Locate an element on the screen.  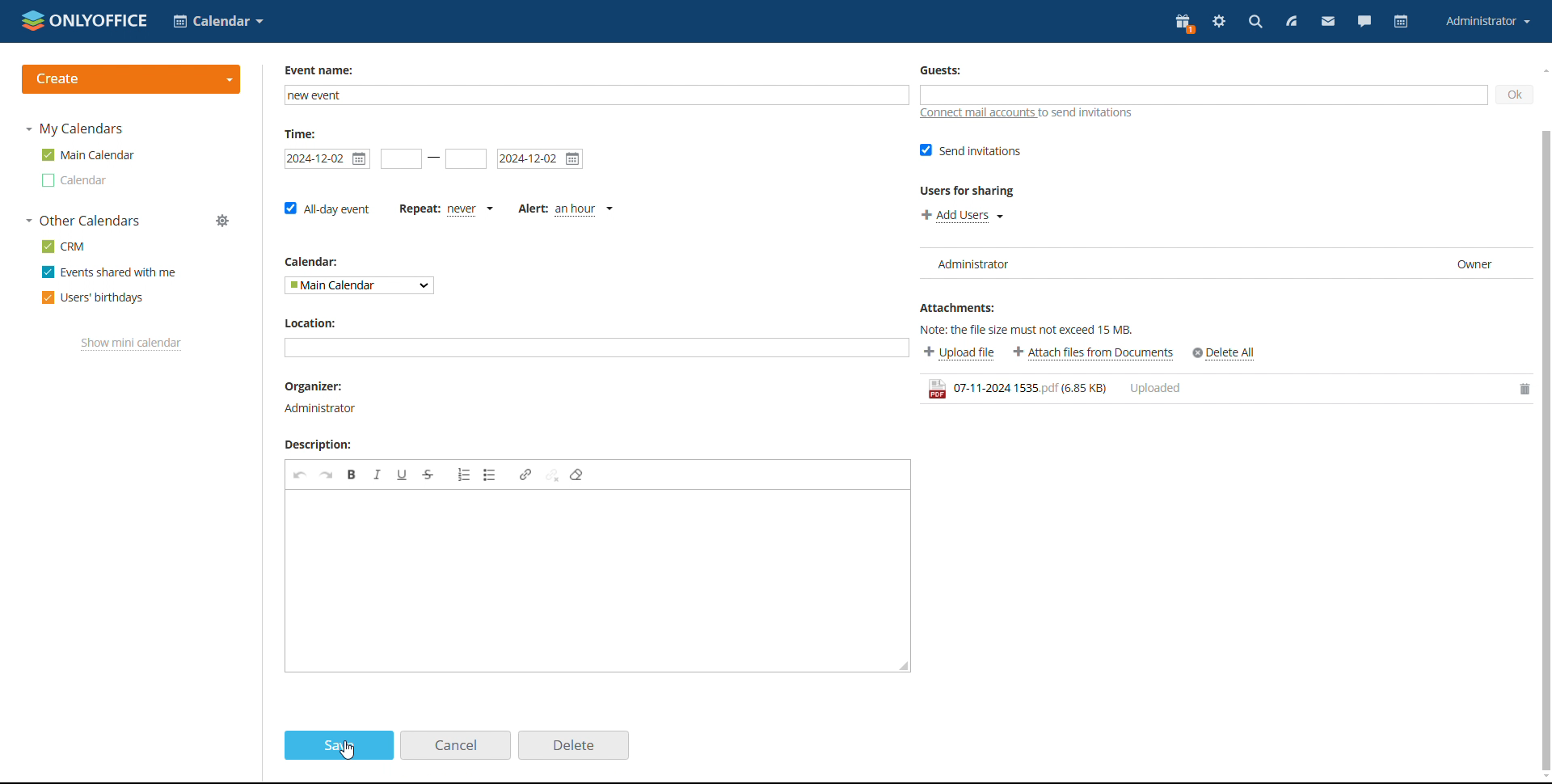
add guests is located at coordinates (1202, 94).